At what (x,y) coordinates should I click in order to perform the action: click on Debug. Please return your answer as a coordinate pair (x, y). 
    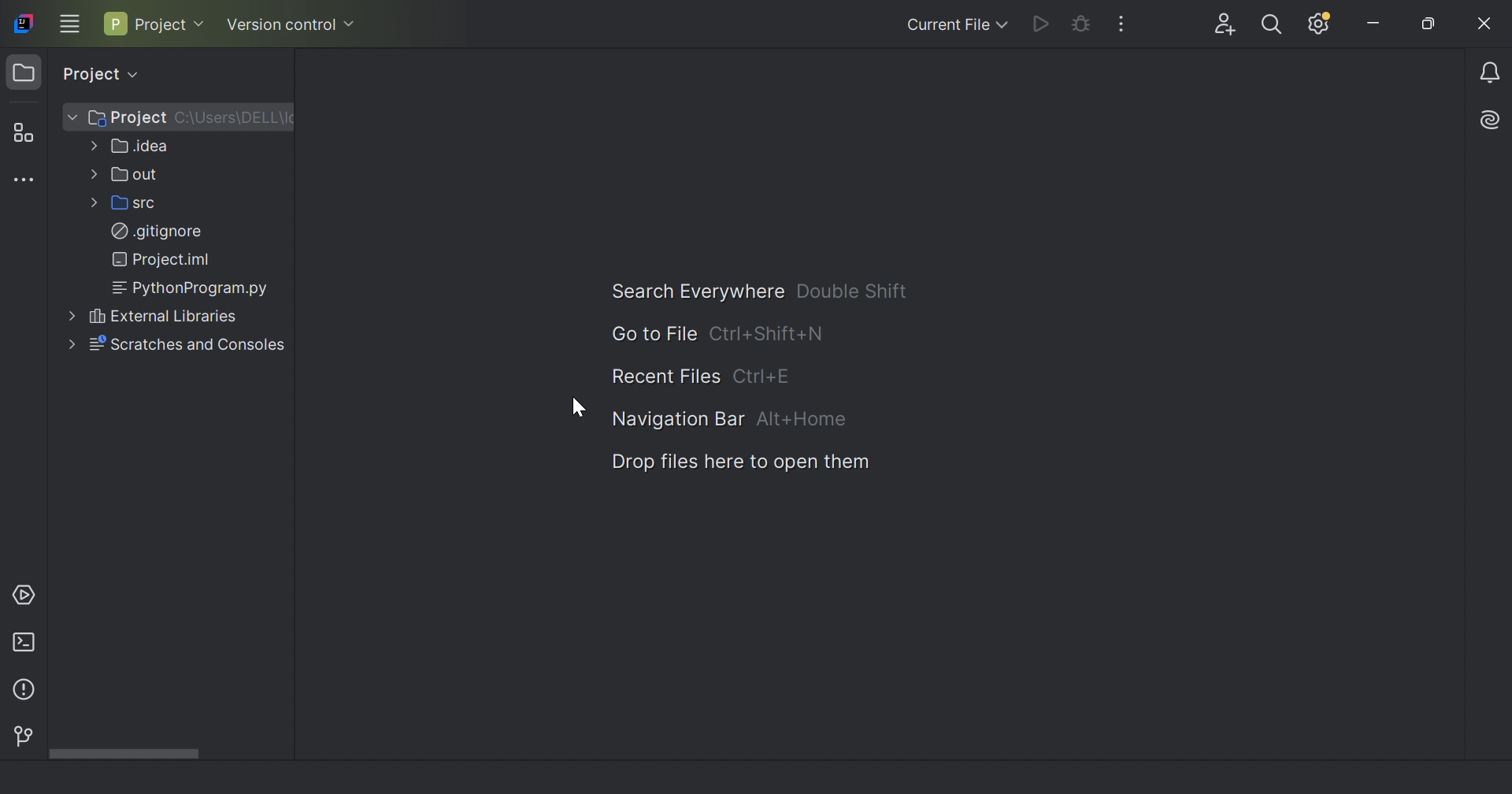
    Looking at the image, I should click on (1082, 23).